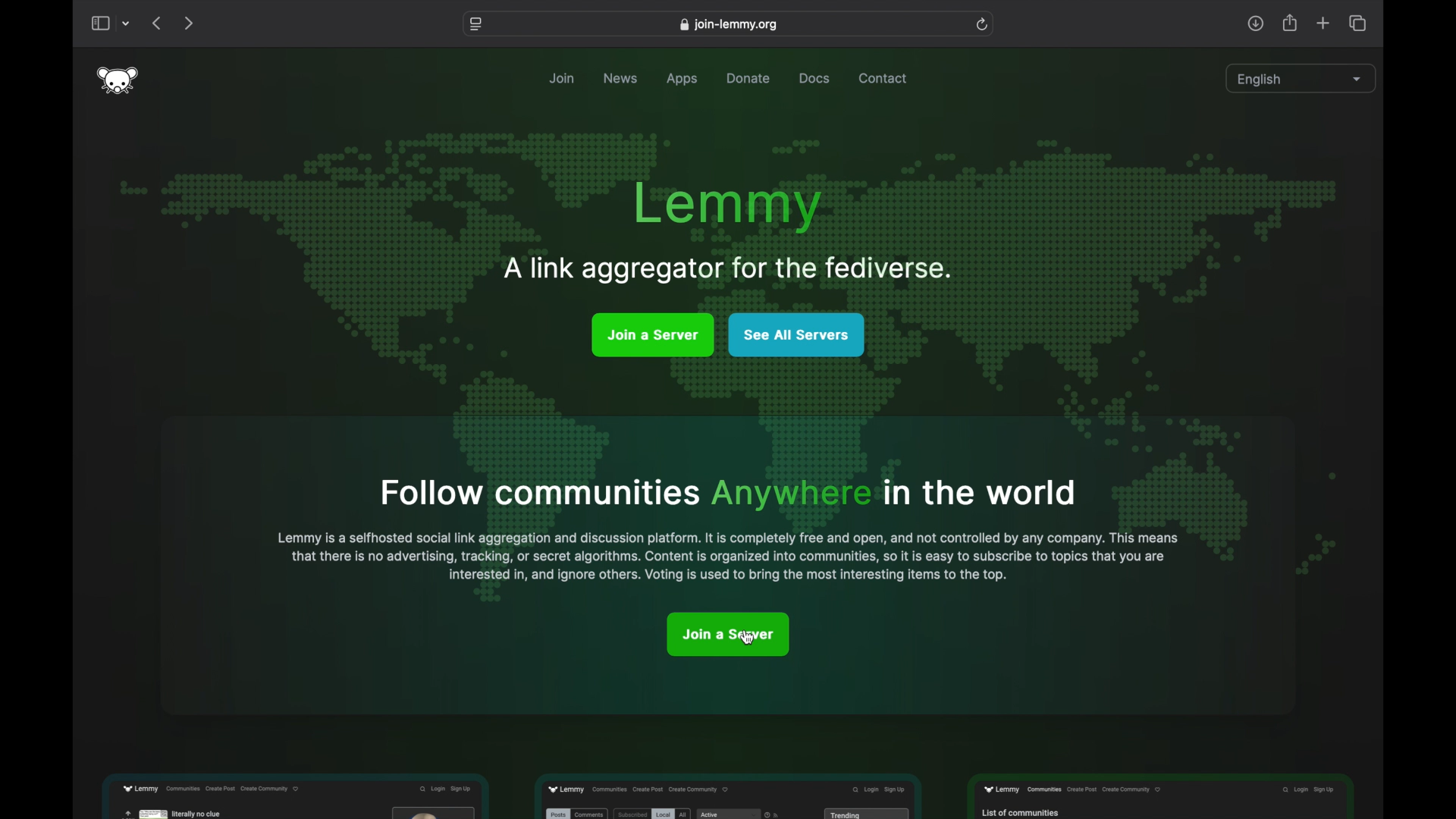 This screenshot has height=819, width=1456. What do you see at coordinates (99, 24) in the screenshot?
I see `show sidebar` at bounding box center [99, 24].